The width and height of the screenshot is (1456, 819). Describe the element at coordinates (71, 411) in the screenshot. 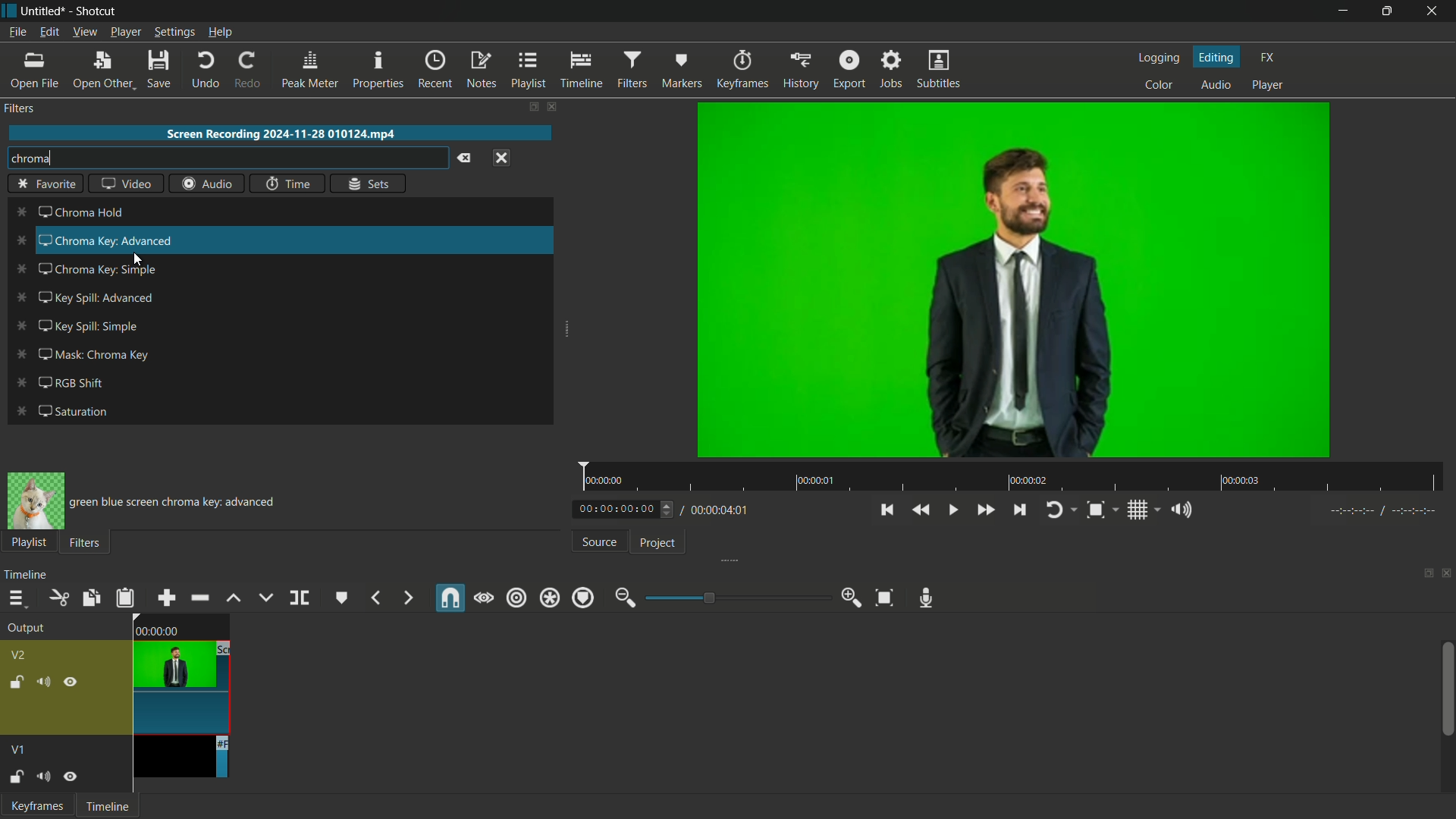

I see `saturation` at that location.